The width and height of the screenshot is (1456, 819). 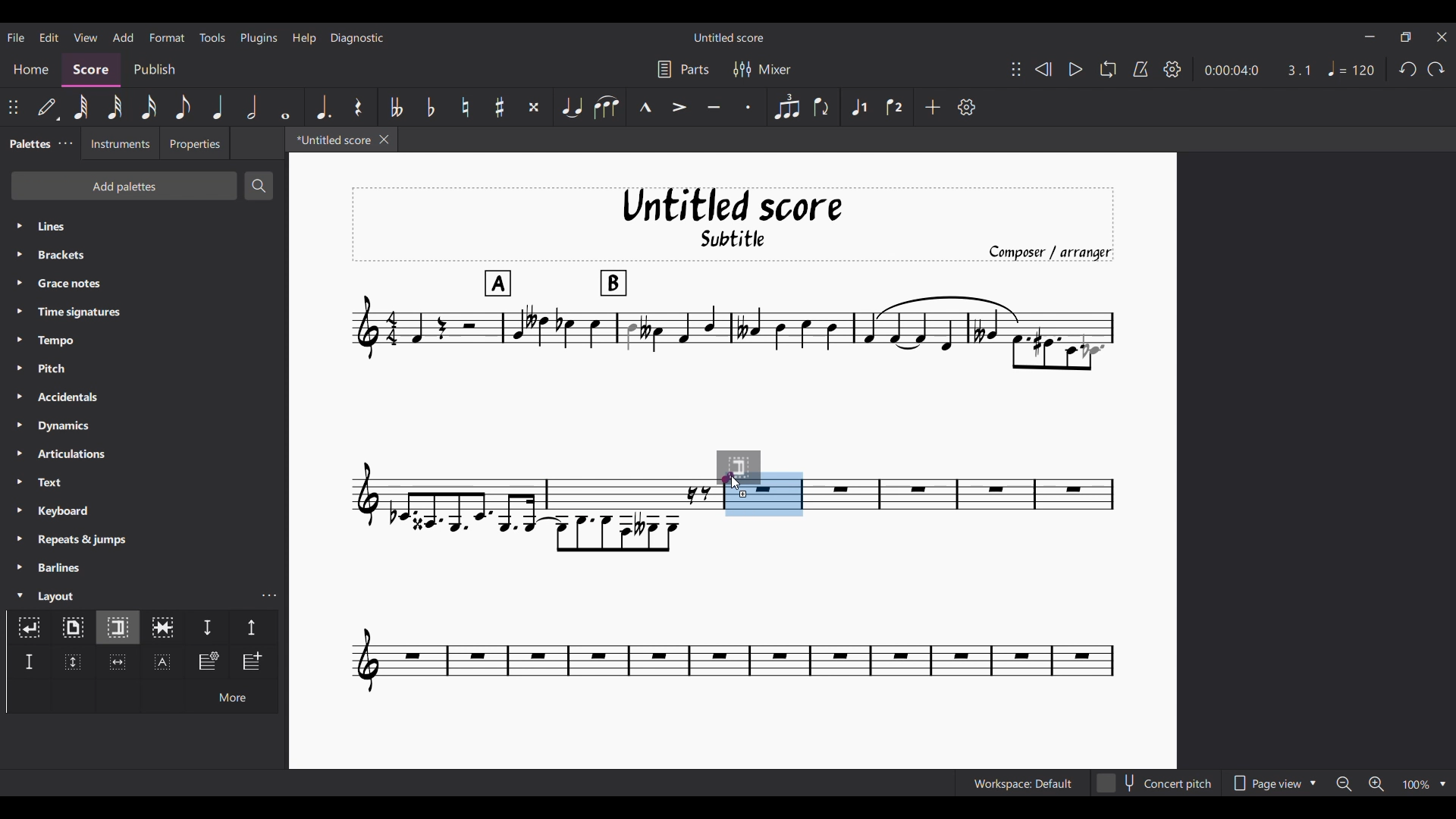 What do you see at coordinates (932, 107) in the screenshot?
I see `Add` at bounding box center [932, 107].